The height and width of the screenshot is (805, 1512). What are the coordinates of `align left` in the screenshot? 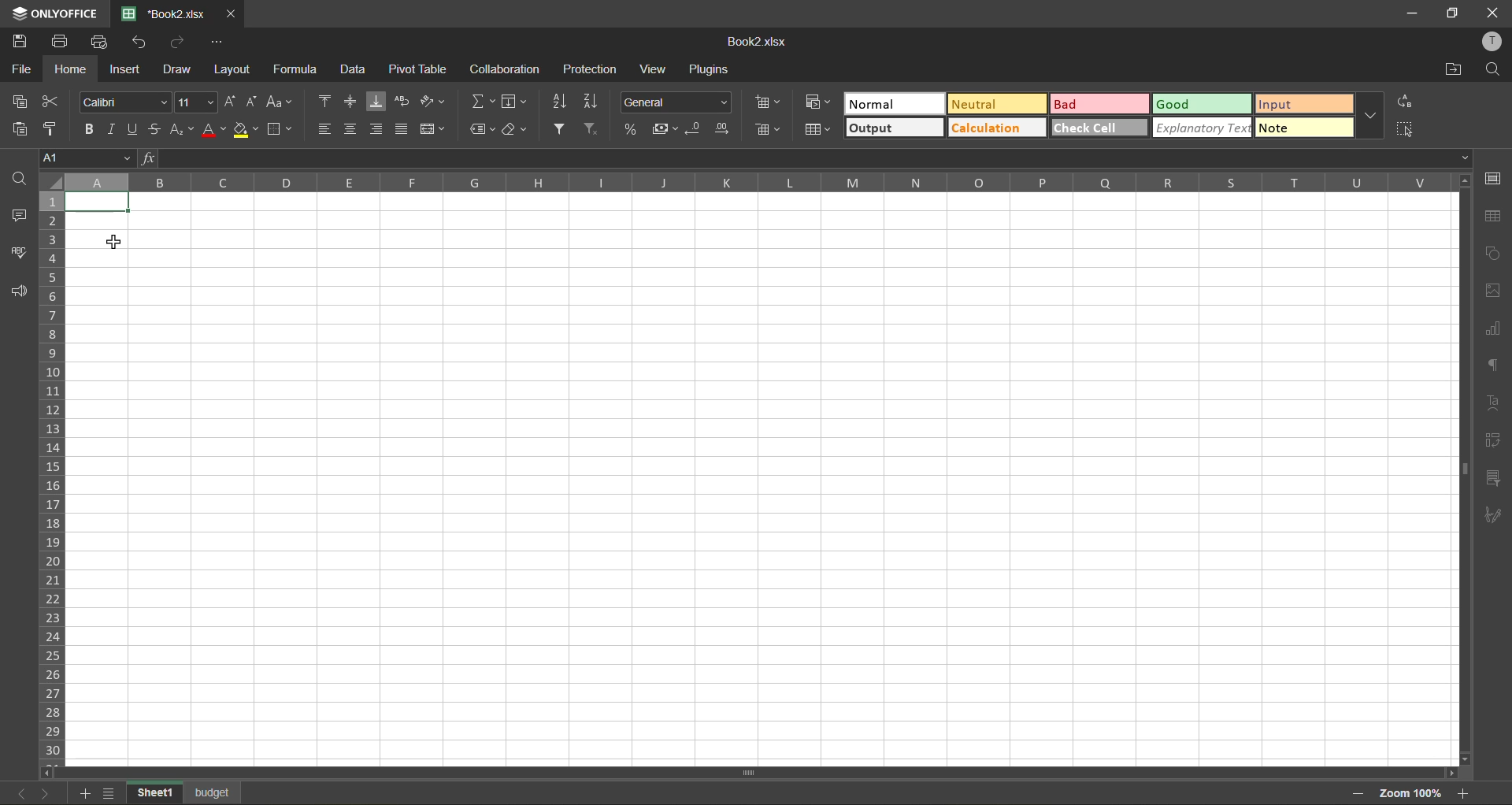 It's located at (324, 127).